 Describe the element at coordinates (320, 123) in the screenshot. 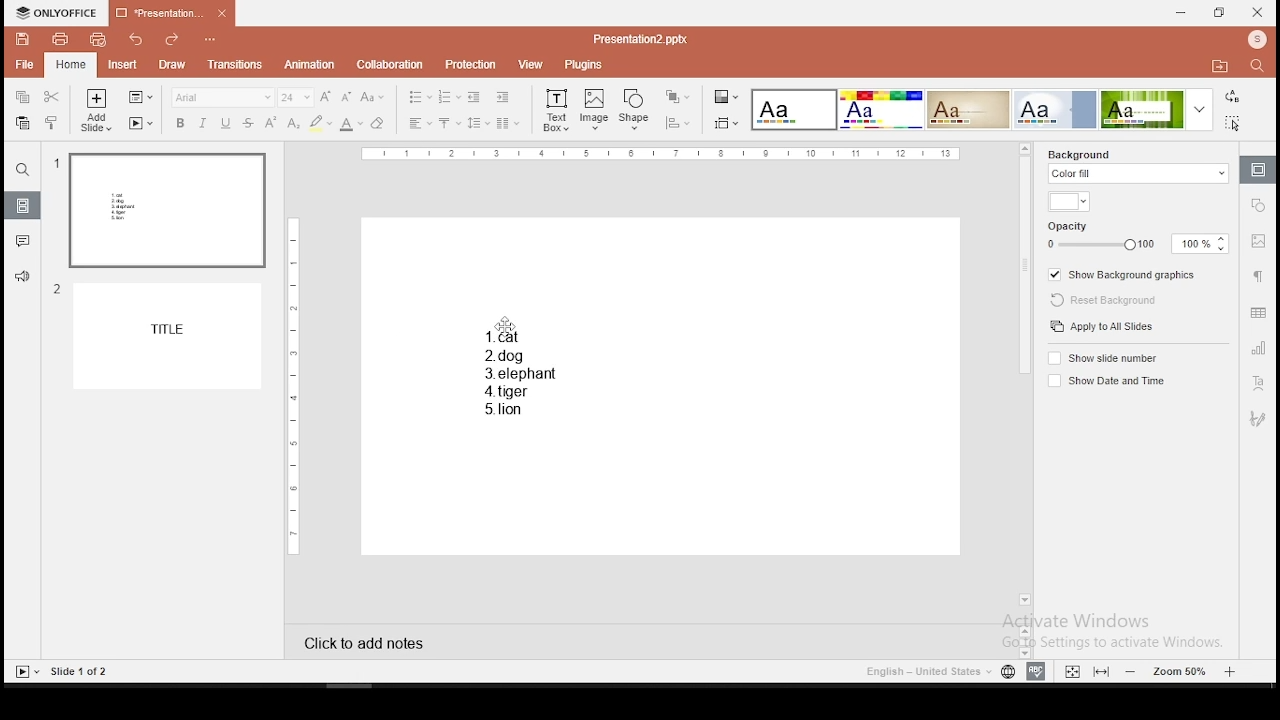

I see `highlight` at that location.